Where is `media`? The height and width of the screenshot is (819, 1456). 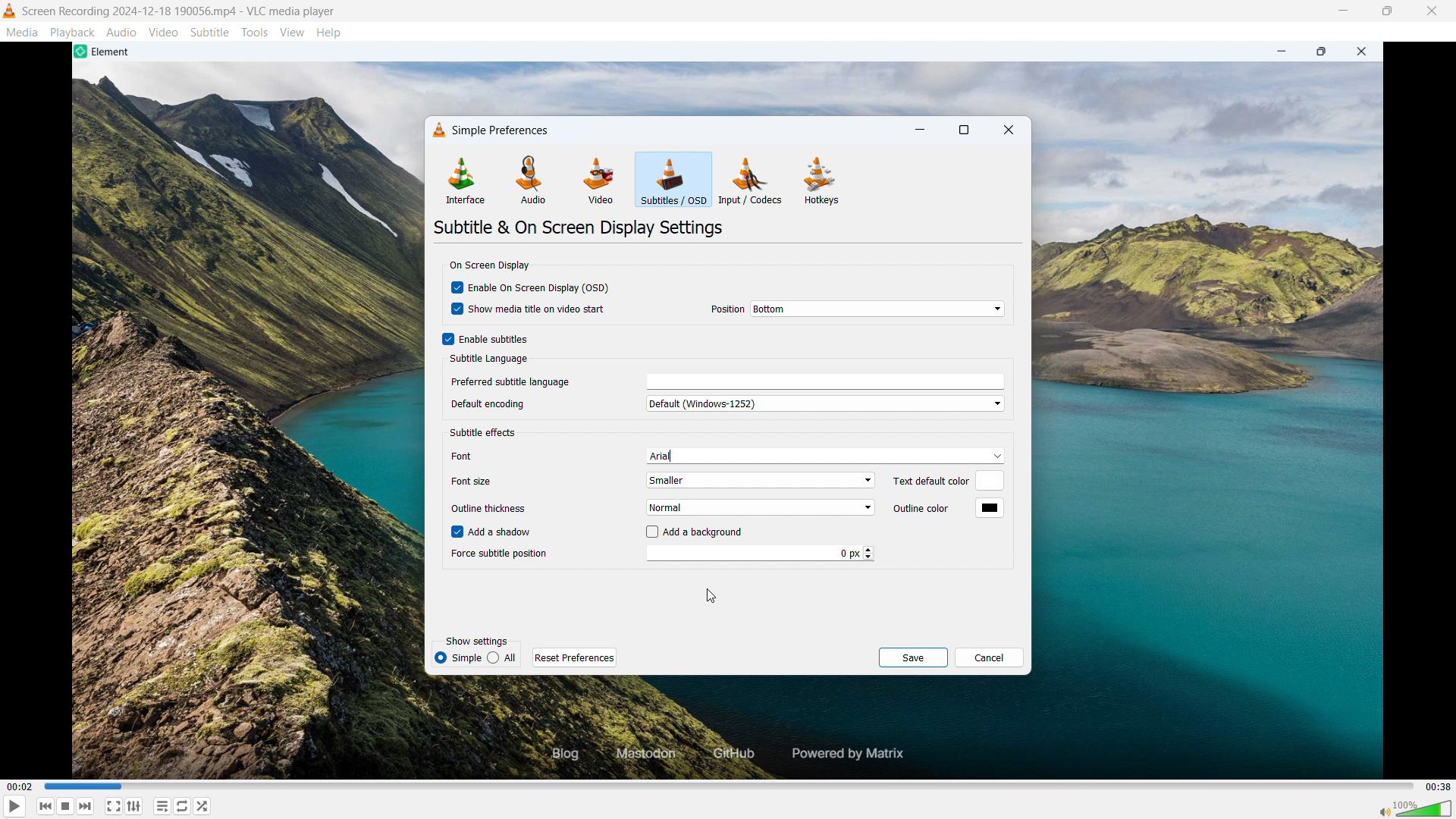
media is located at coordinates (23, 32).